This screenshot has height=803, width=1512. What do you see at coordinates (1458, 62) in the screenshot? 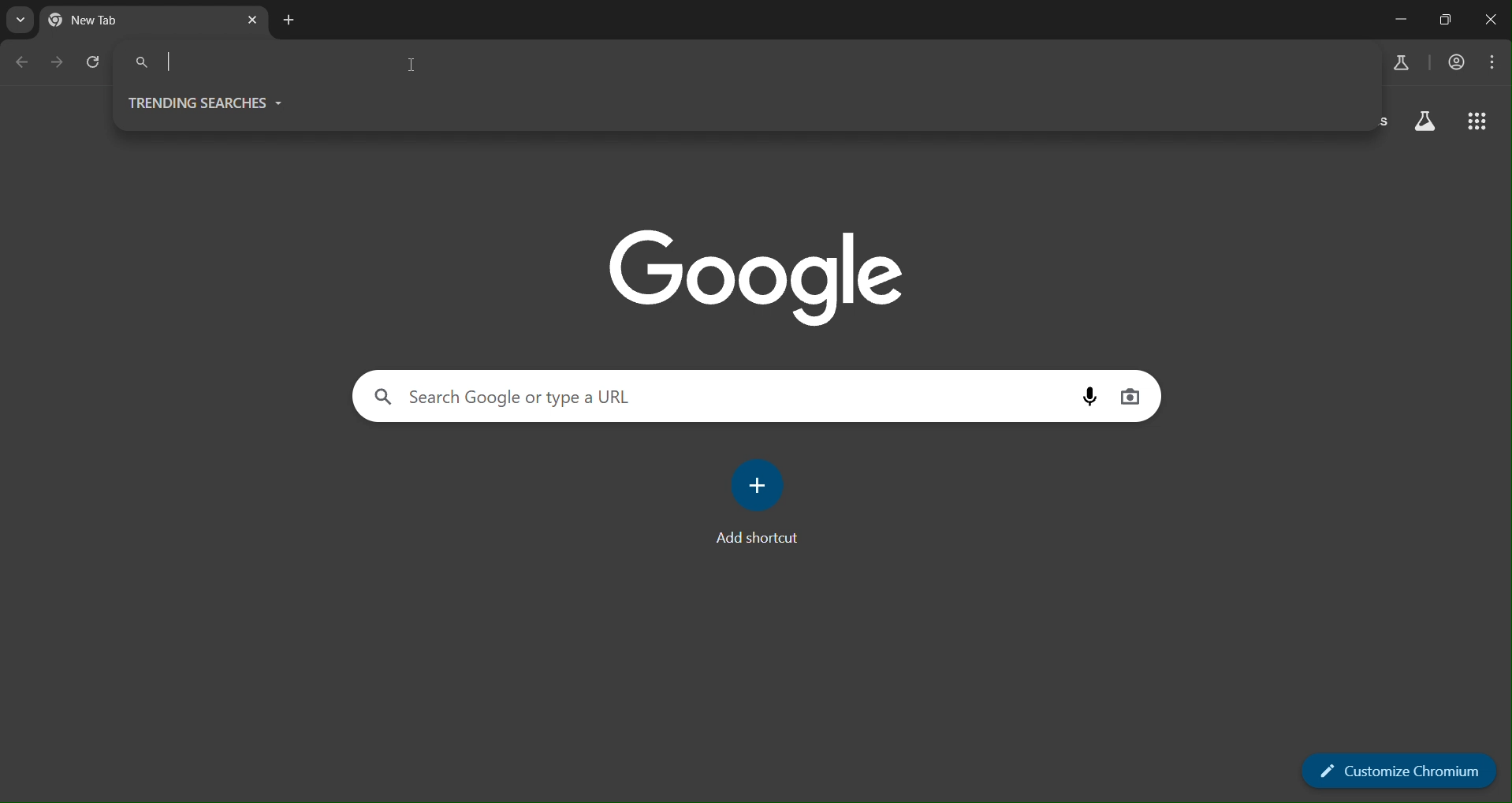
I see `accounts` at bounding box center [1458, 62].